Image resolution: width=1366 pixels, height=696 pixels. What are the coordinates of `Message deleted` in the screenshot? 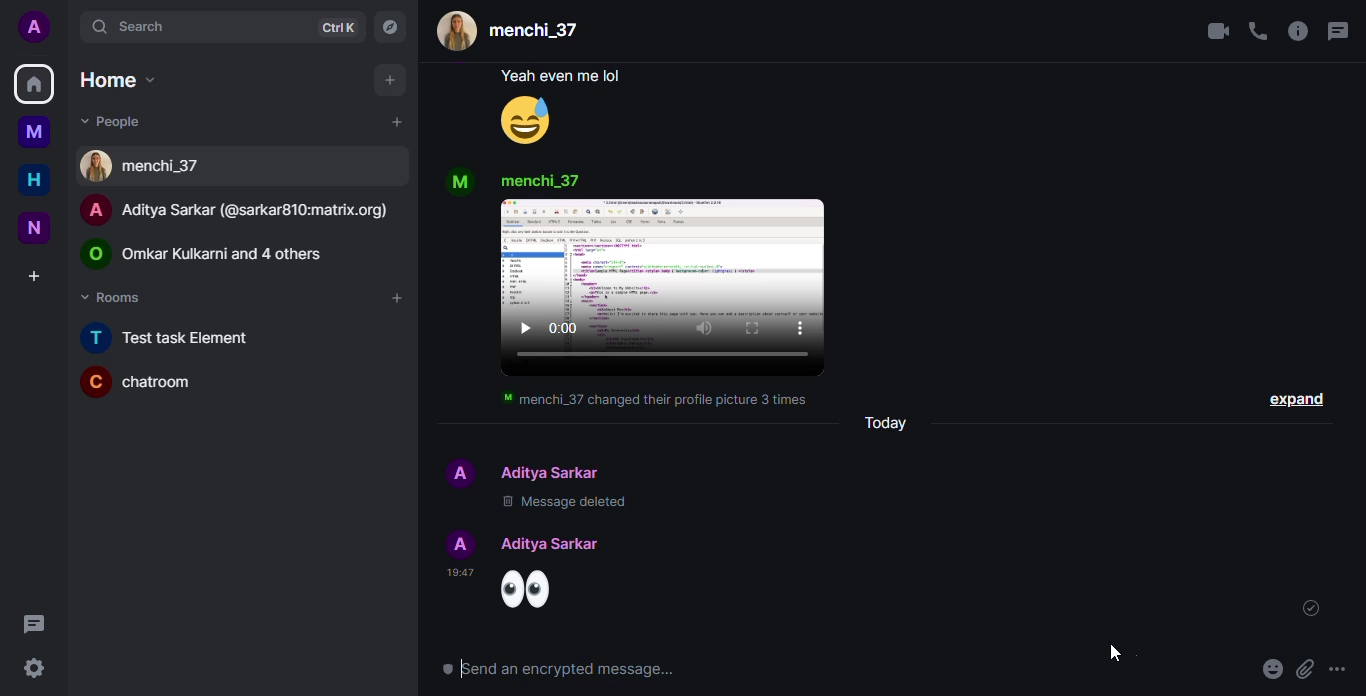 It's located at (650, 506).